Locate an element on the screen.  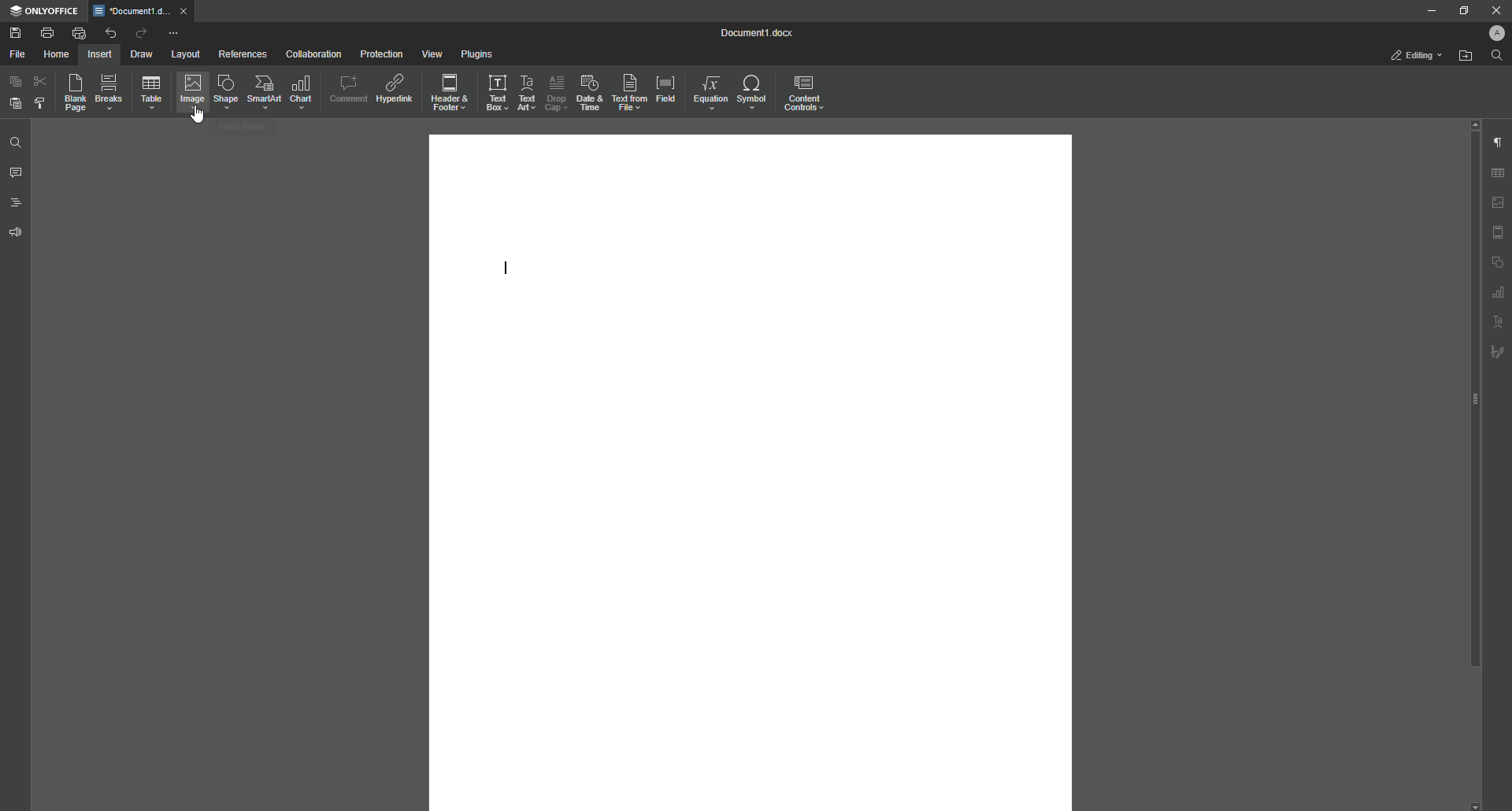
Save is located at coordinates (16, 33).